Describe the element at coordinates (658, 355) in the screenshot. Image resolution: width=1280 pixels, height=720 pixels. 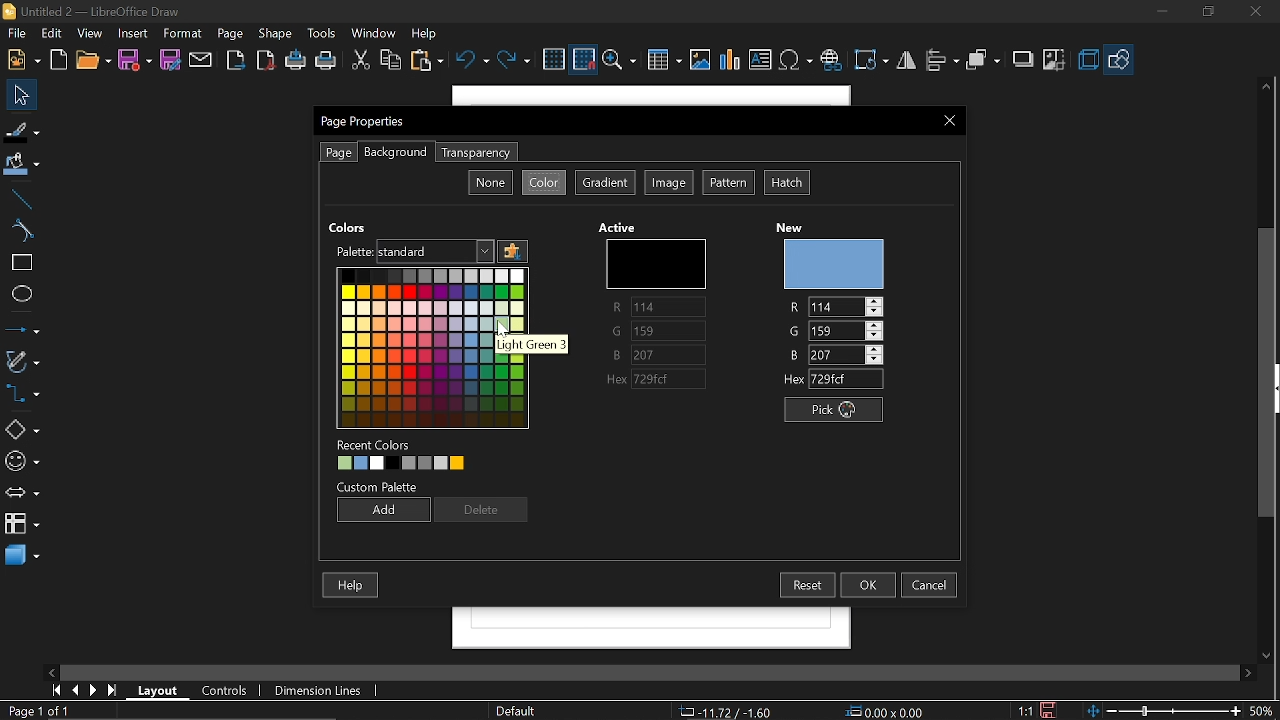
I see `B` at that location.